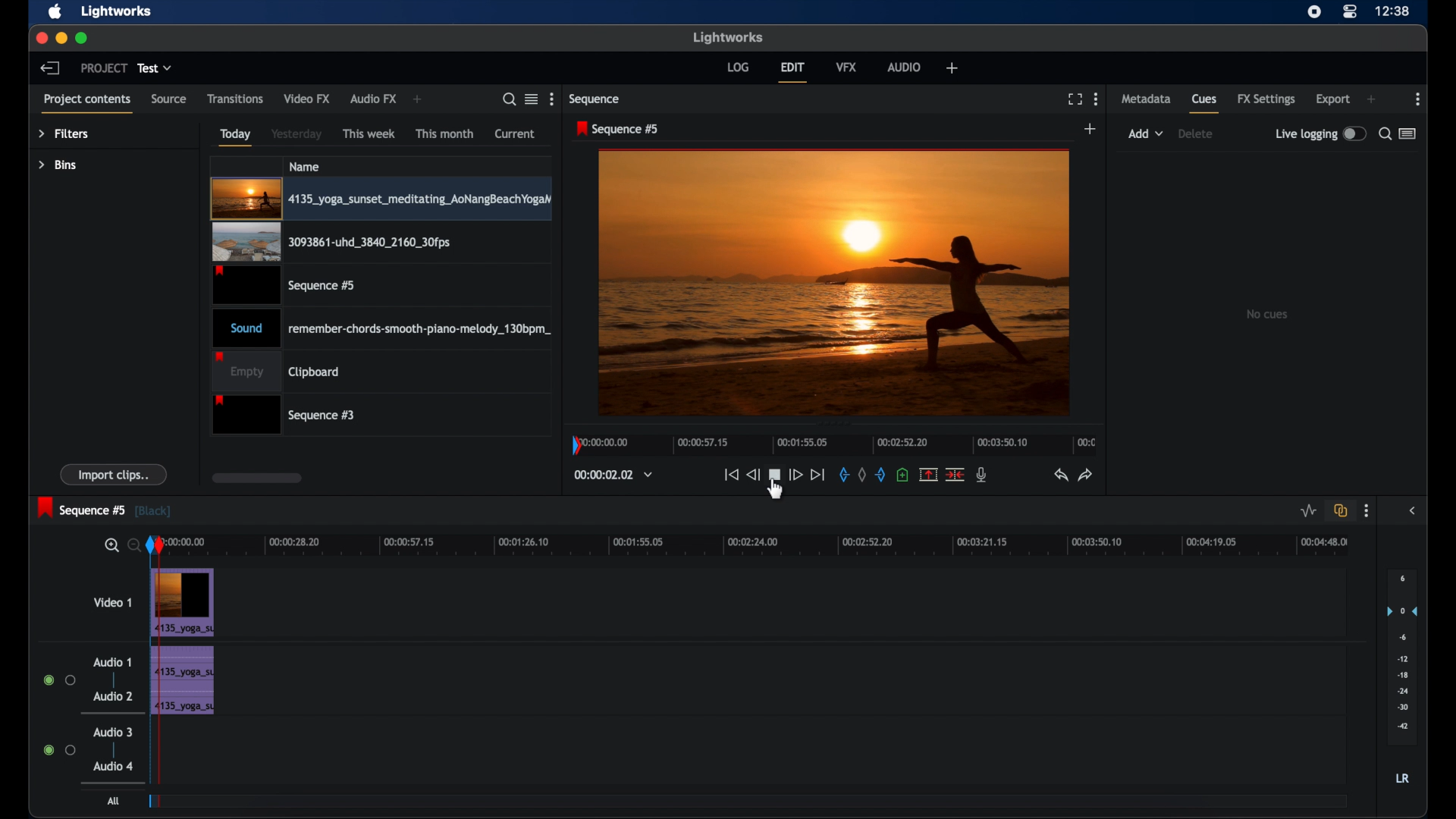  What do you see at coordinates (184, 702) in the screenshot?
I see `audio clip` at bounding box center [184, 702].